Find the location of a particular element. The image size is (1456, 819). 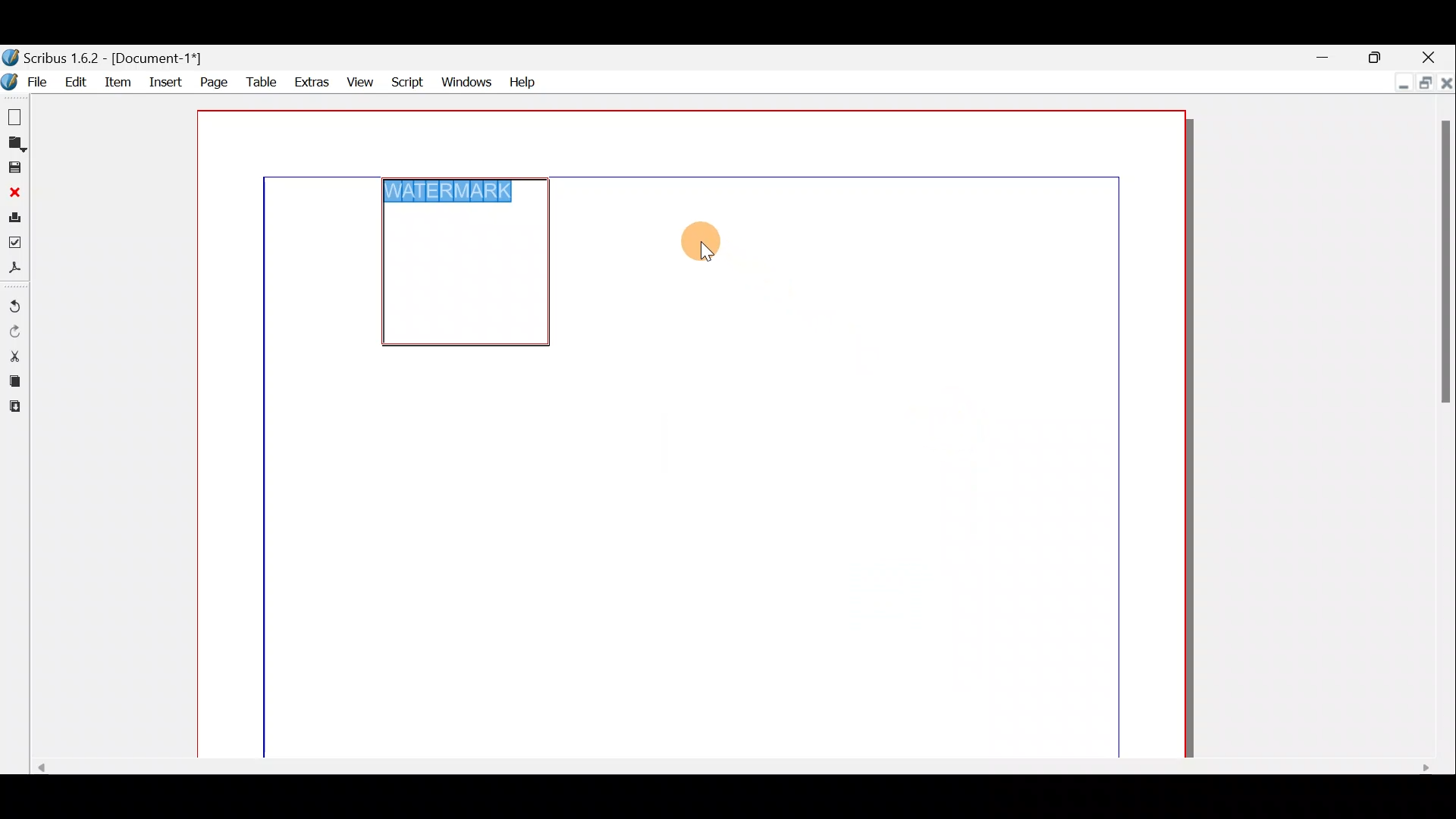

File is located at coordinates (28, 81).